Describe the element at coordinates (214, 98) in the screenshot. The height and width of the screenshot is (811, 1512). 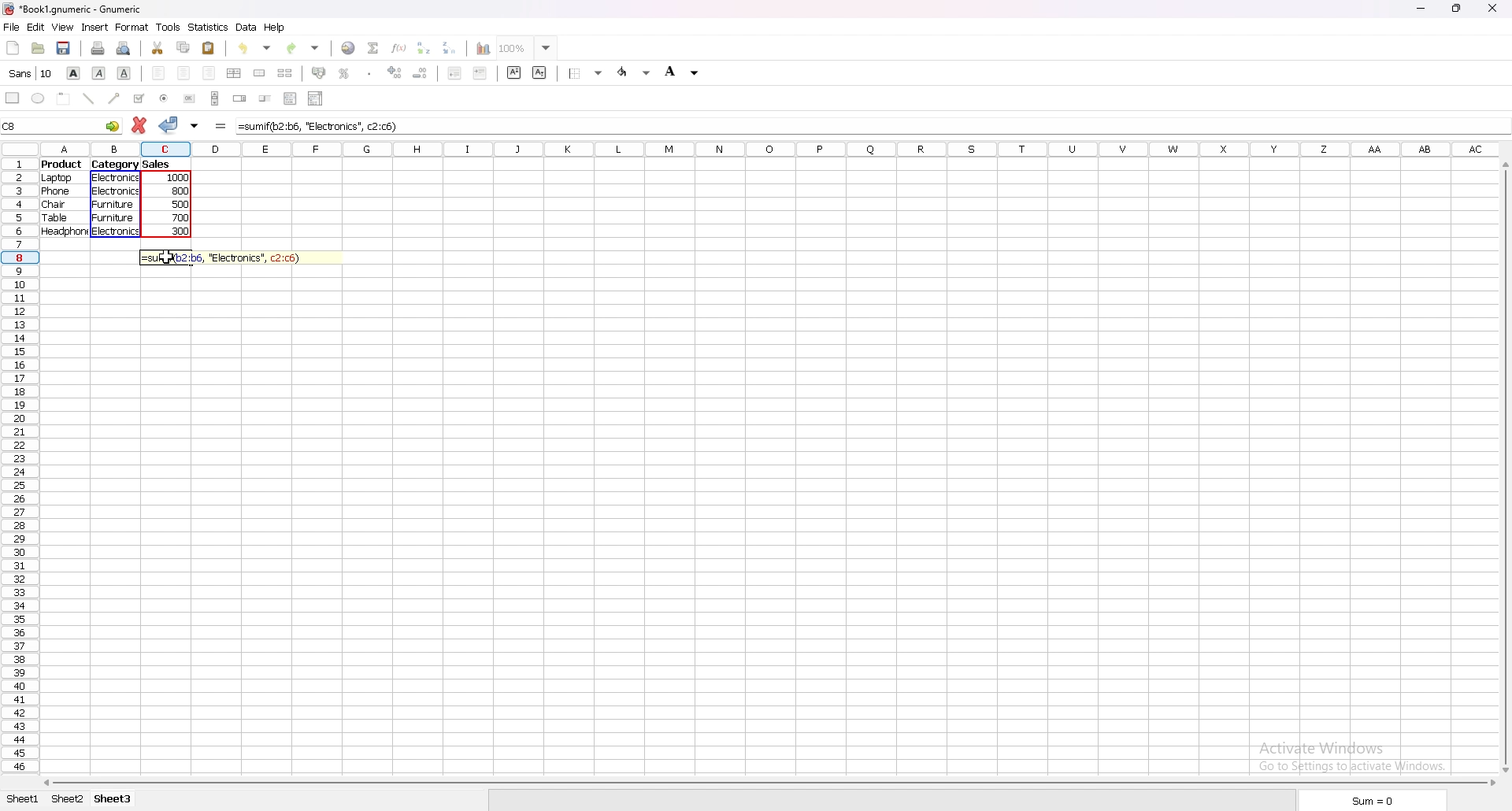
I see `scroll bar` at that location.